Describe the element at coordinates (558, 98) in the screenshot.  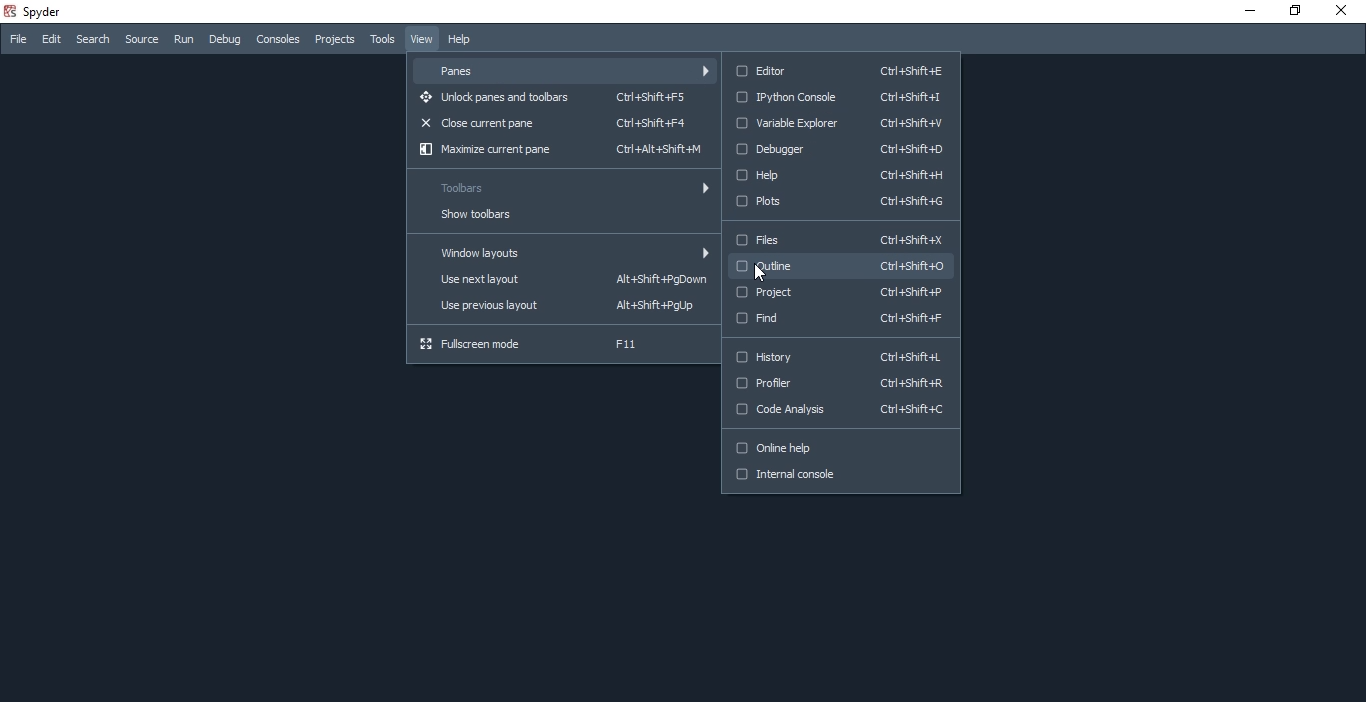
I see `Unlock panes and toolbars` at that location.